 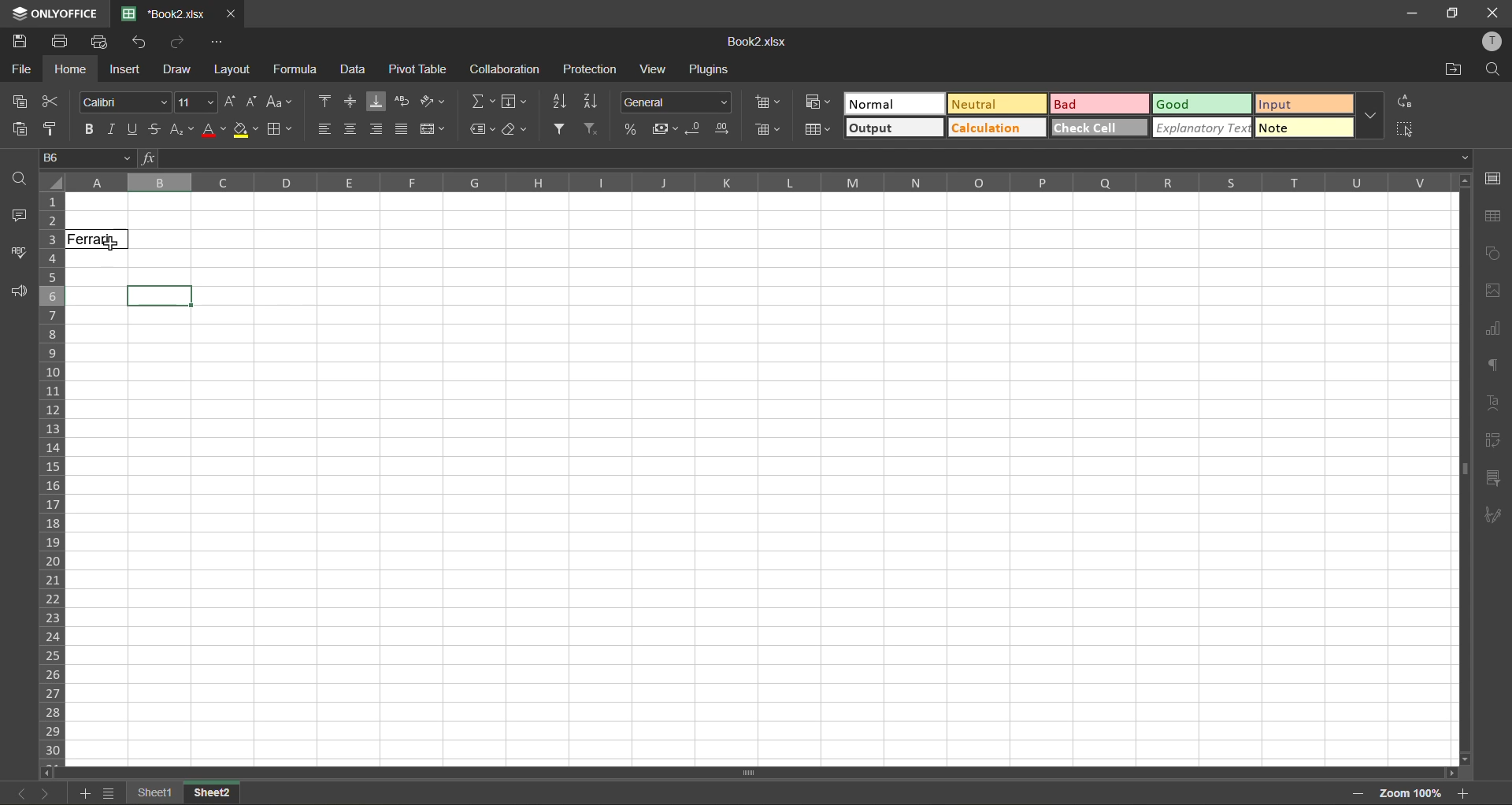 I want to click on fill color, so click(x=246, y=129).